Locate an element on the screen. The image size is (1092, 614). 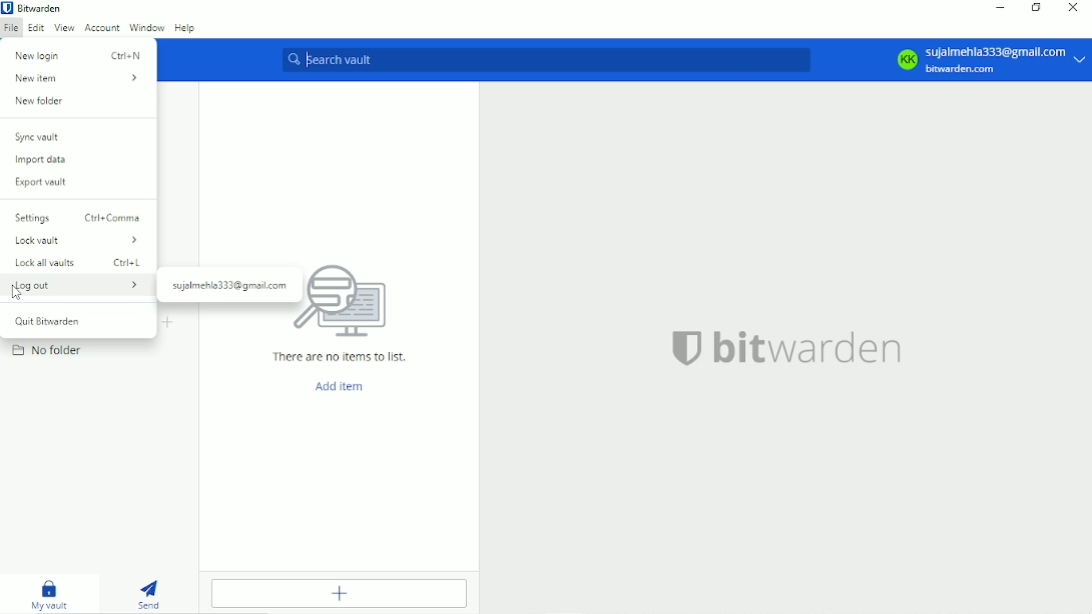
New login Ctrl+N is located at coordinates (79, 55).